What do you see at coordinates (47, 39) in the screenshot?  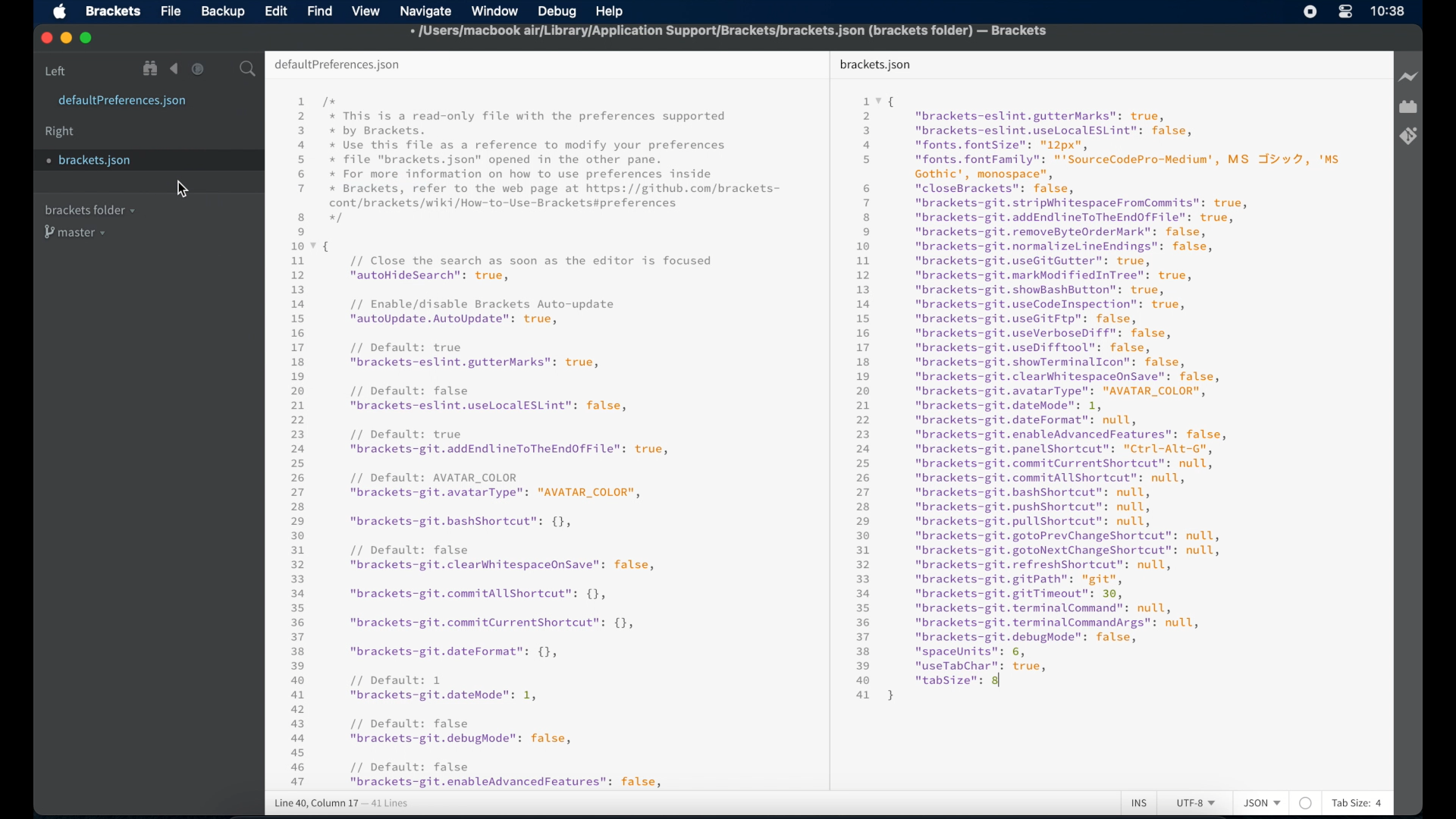 I see `close` at bounding box center [47, 39].